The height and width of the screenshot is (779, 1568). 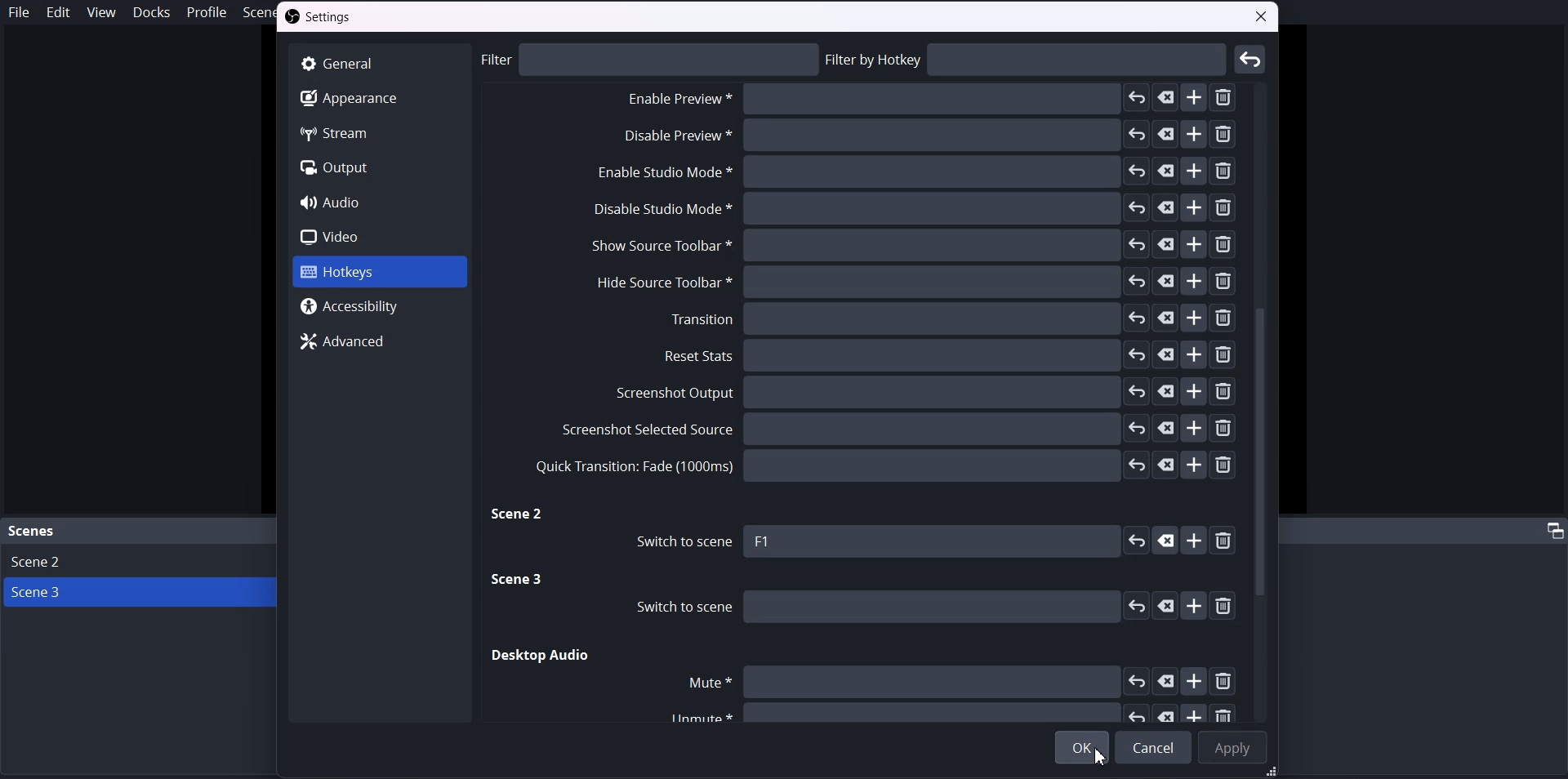 What do you see at coordinates (541, 656) in the screenshot?
I see `Desktop audio` at bounding box center [541, 656].